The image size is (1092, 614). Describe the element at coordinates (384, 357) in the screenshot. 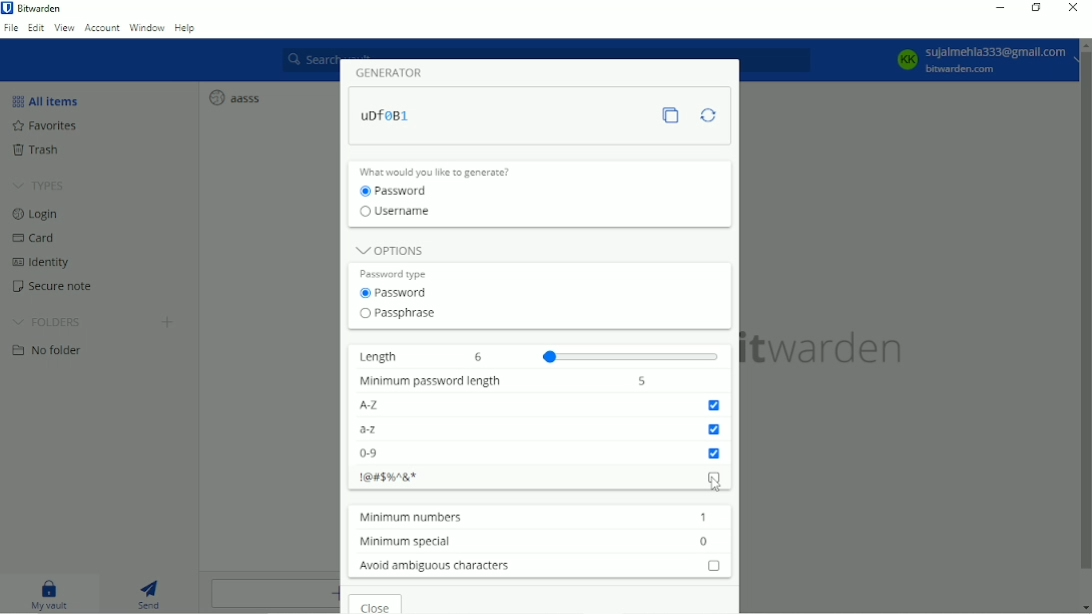

I see `Length` at that location.